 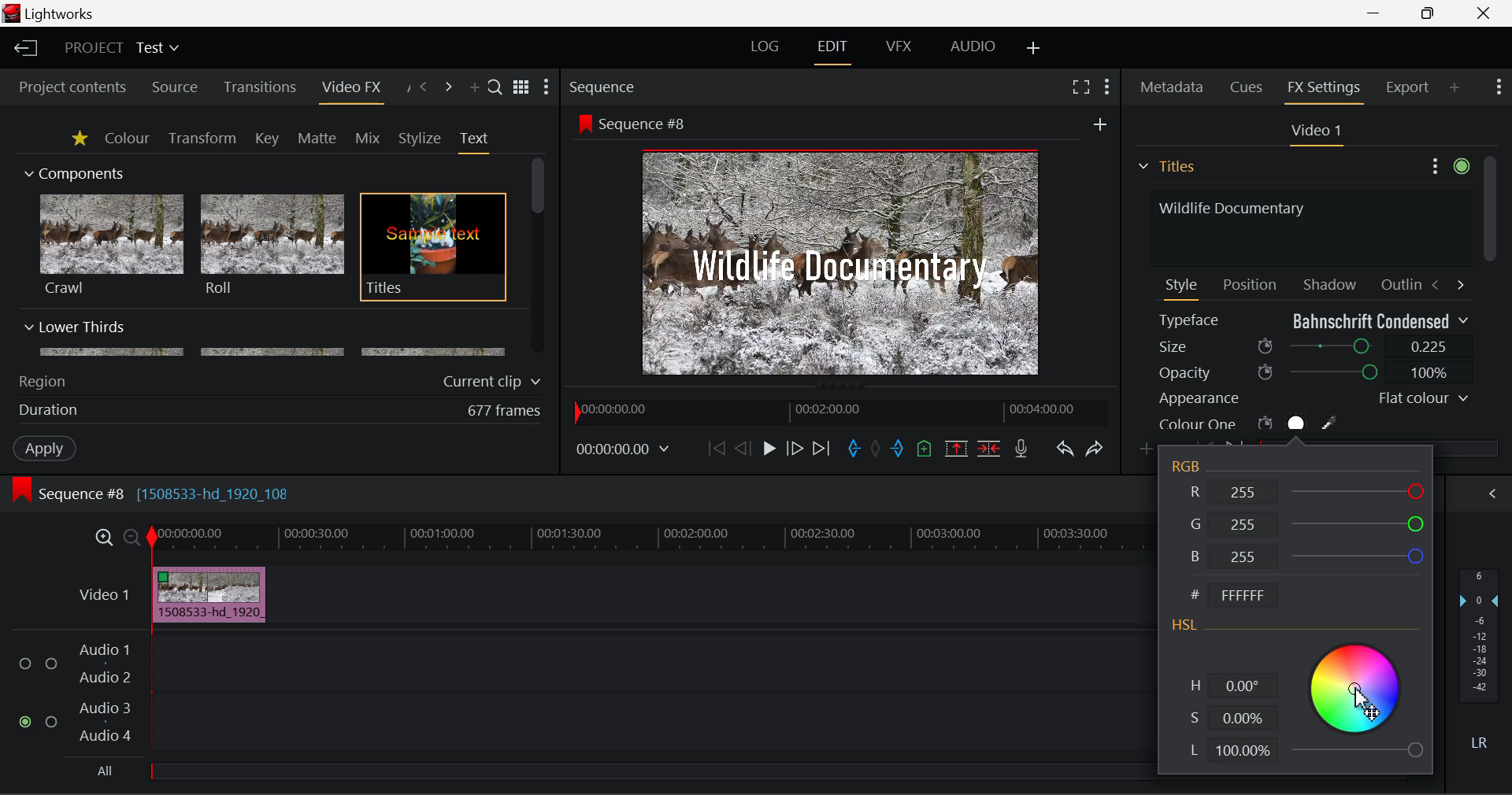 What do you see at coordinates (1248, 87) in the screenshot?
I see `Cues` at bounding box center [1248, 87].